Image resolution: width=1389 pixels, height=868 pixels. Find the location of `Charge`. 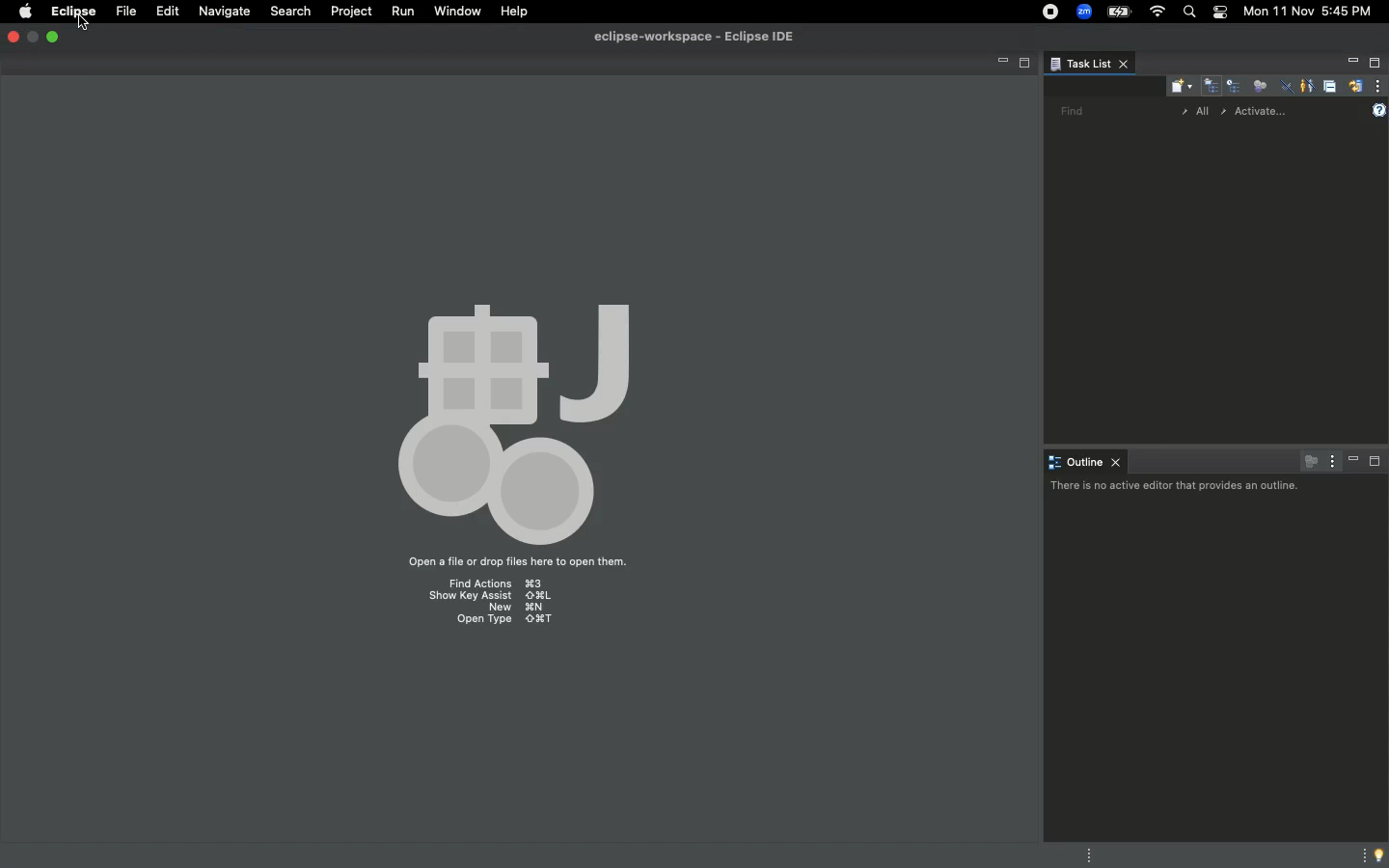

Charge is located at coordinates (1119, 12).